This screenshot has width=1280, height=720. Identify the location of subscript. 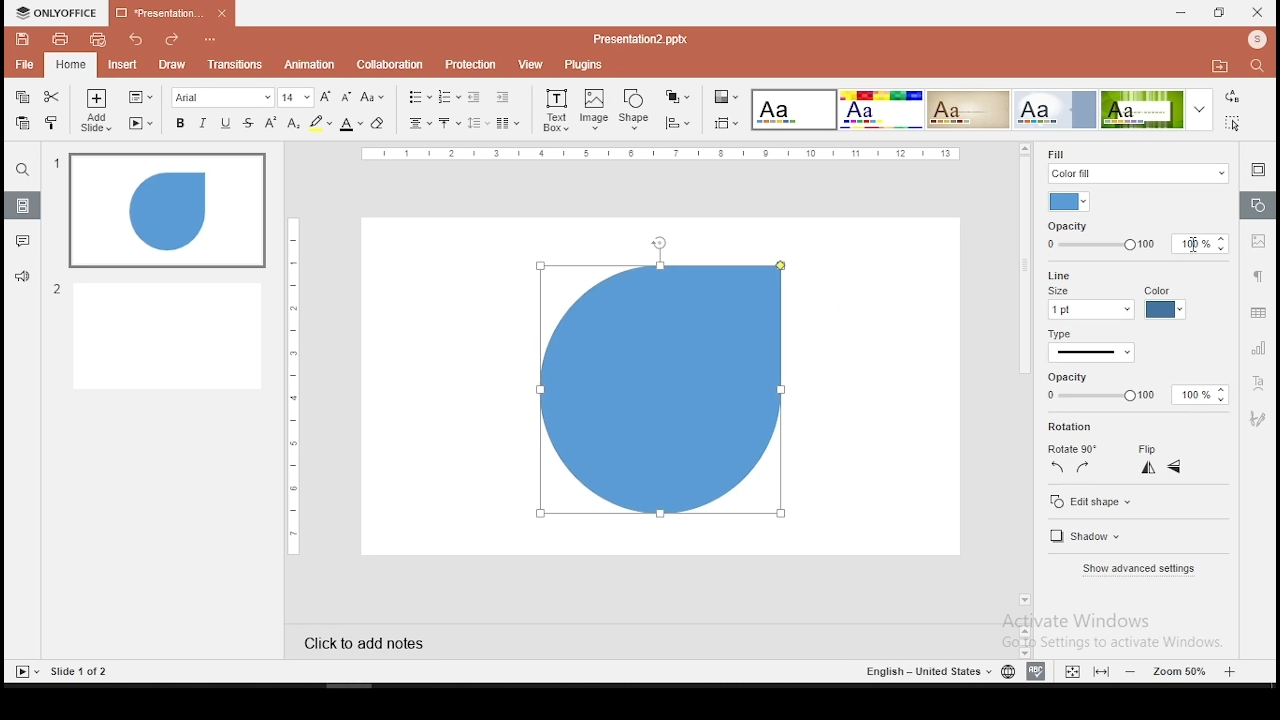
(294, 123).